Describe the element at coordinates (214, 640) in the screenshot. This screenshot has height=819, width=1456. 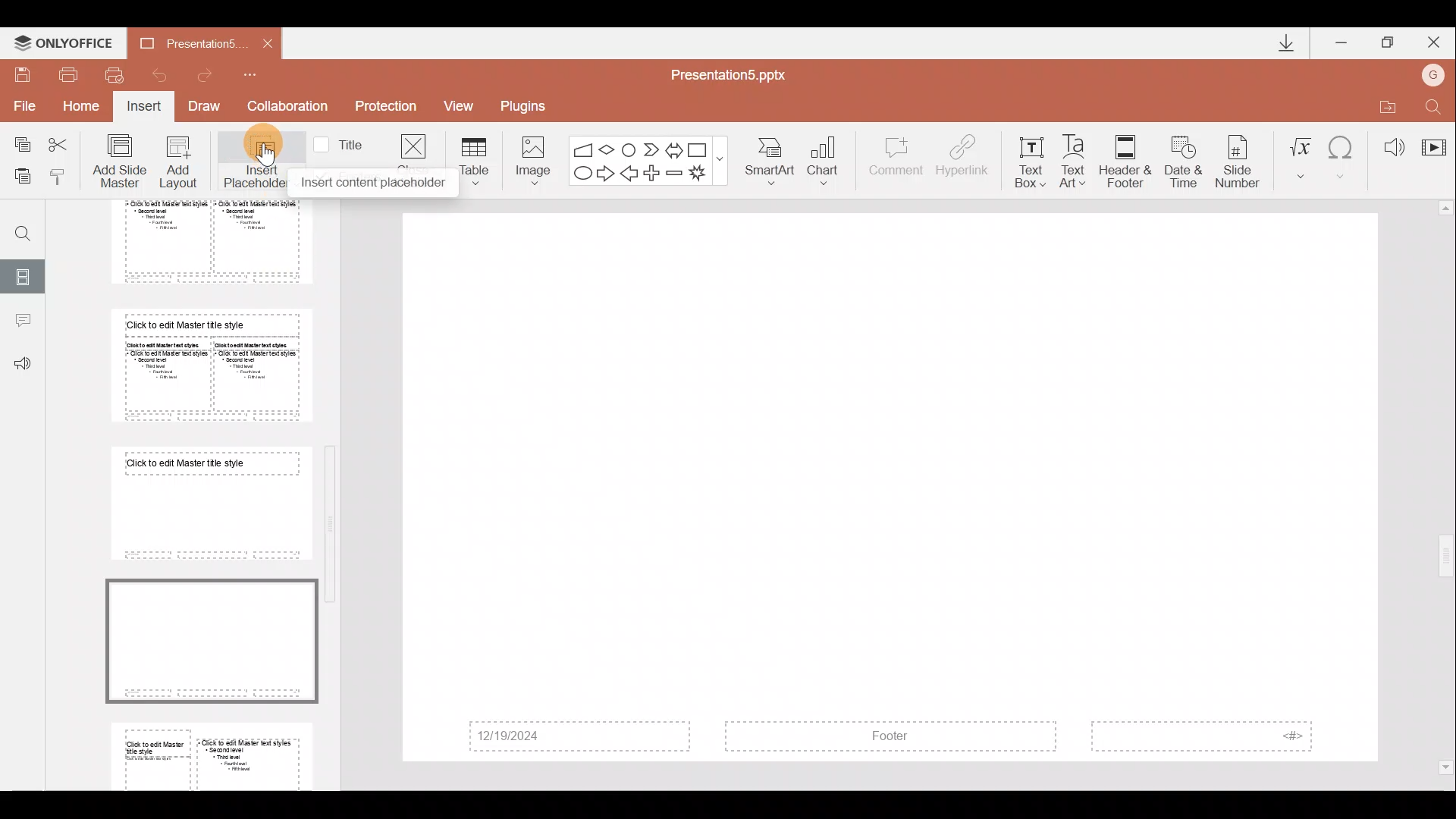
I see `Slide 8` at that location.